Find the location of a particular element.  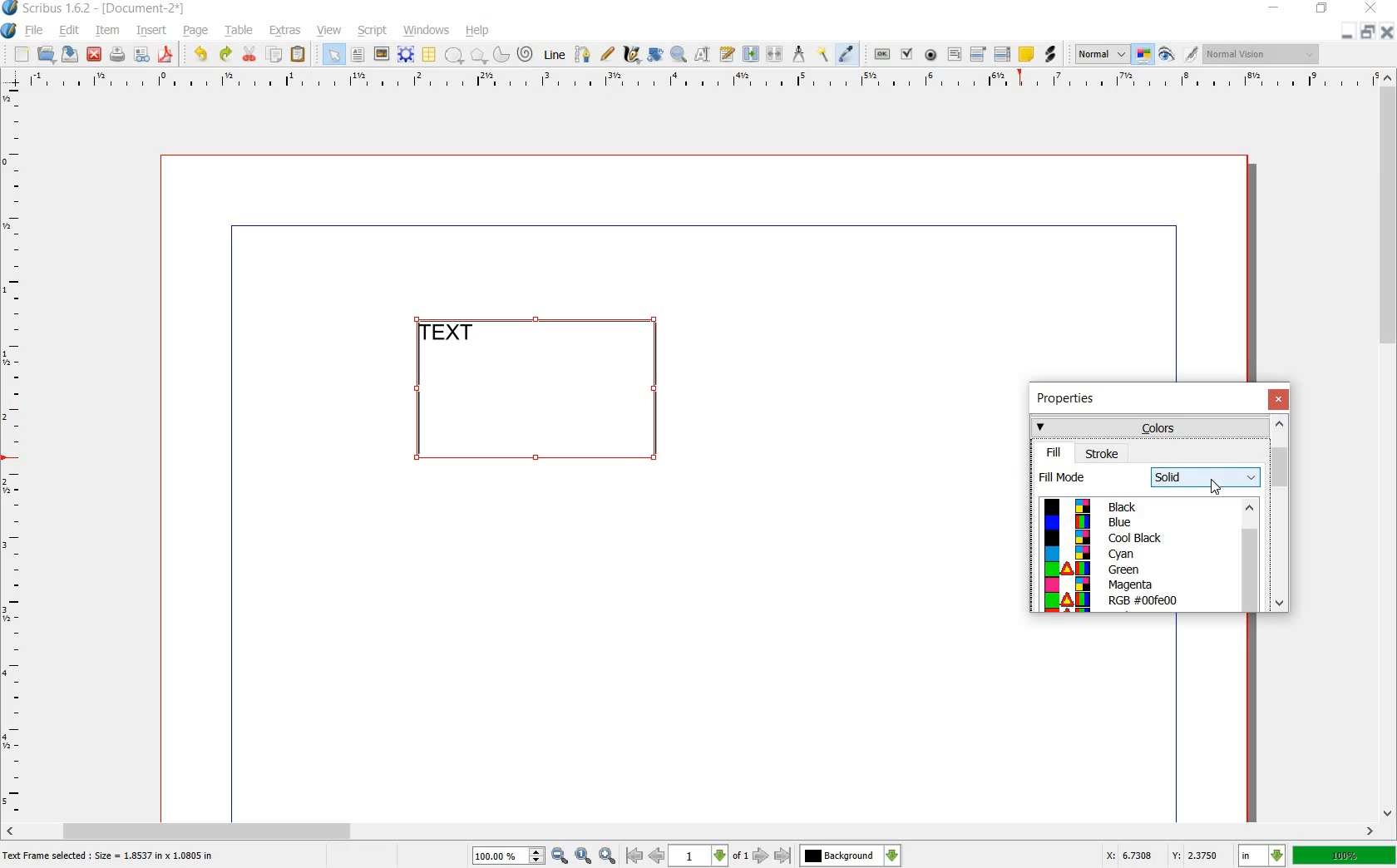

scrollbar is located at coordinates (1250, 557).